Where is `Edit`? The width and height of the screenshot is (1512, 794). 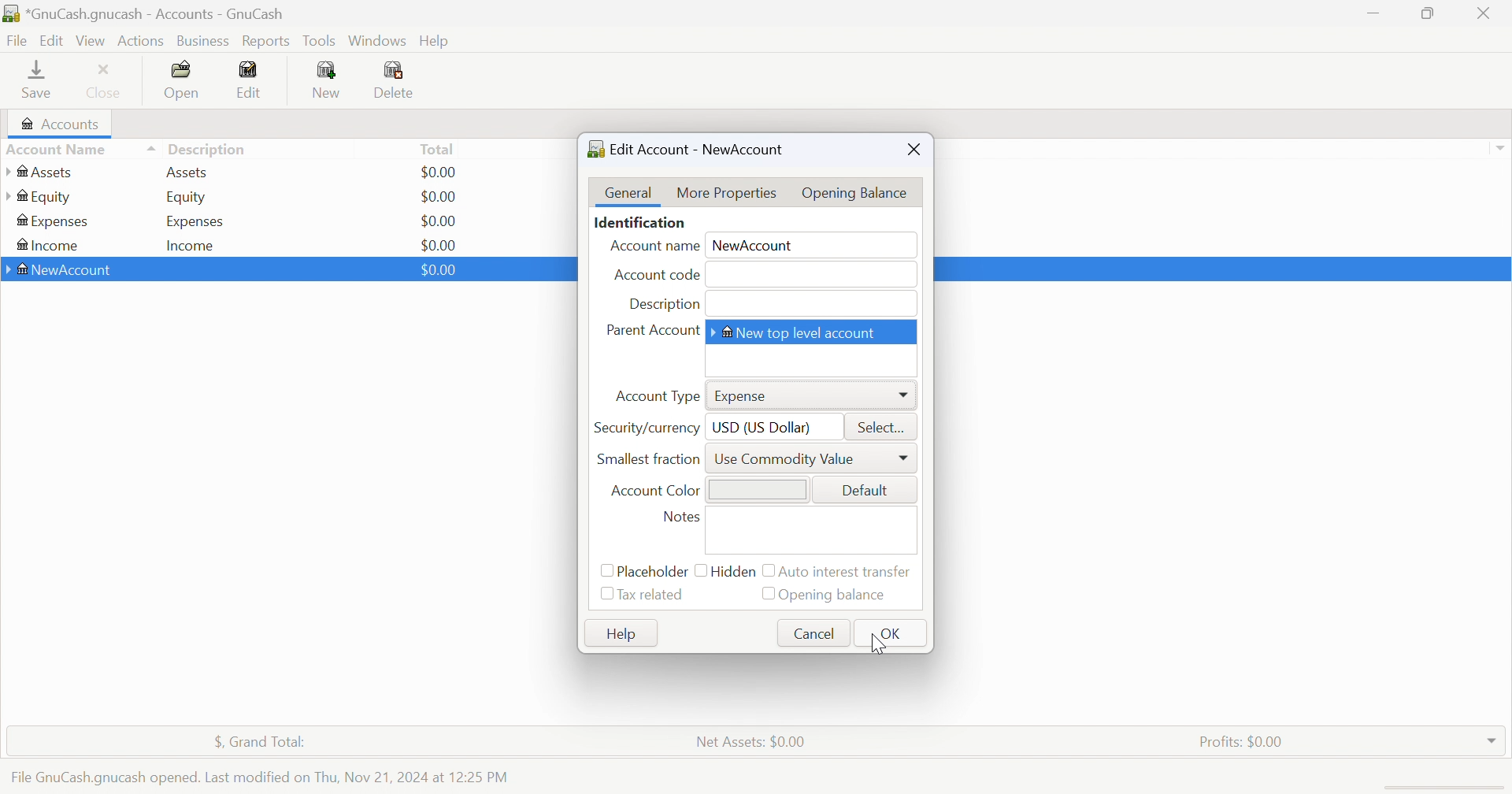 Edit is located at coordinates (249, 80).